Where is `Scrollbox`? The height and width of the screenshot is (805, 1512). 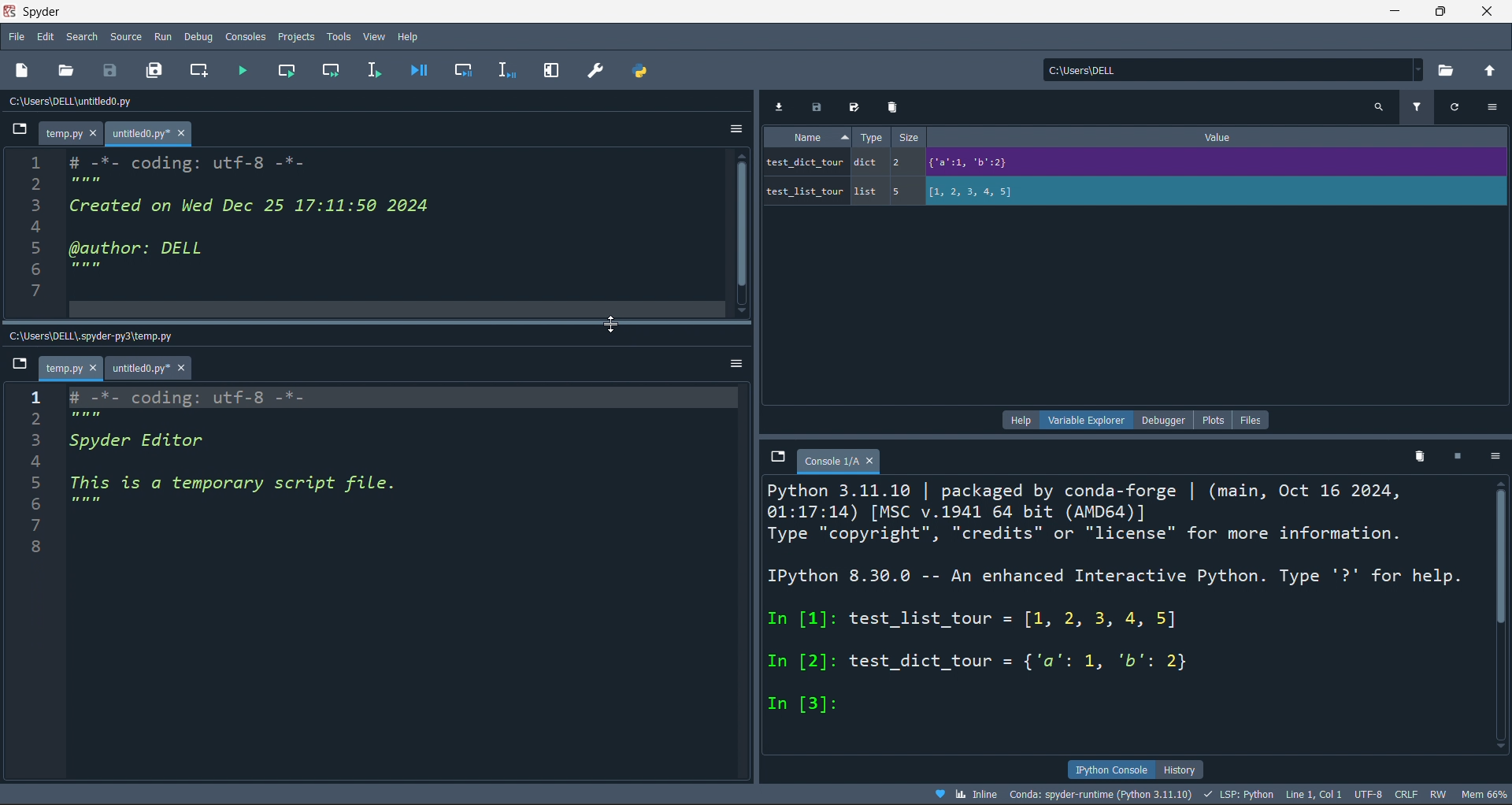
Scrollbox is located at coordinates (730, 234).